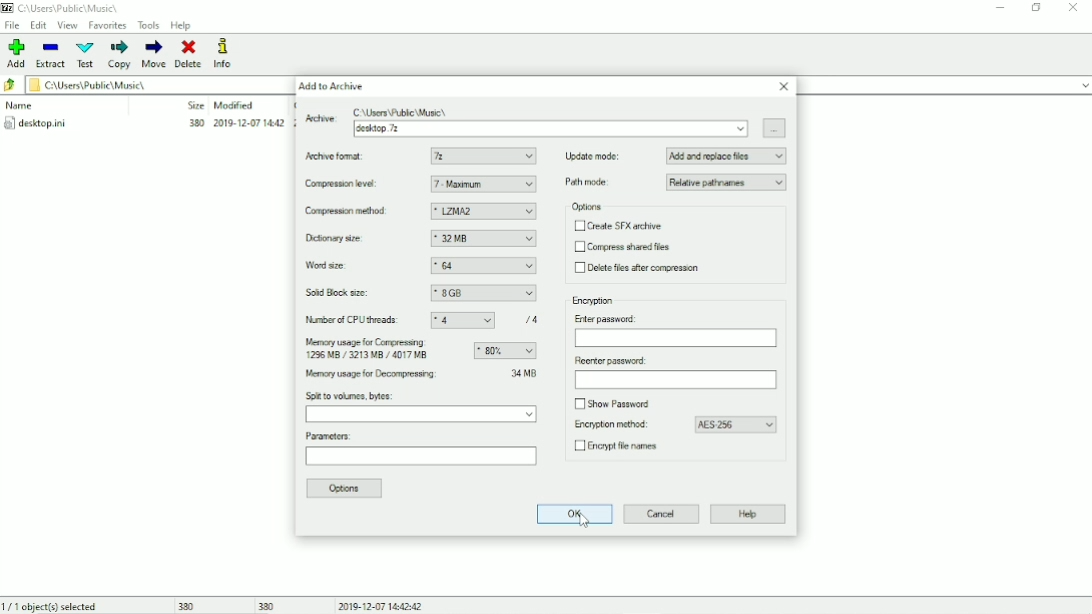 Image resolution: width=1092 pixels, height=614 pixels. Describe the element at coordinates (674, 380) in the screenshot. I see `Reenter password` at that location.